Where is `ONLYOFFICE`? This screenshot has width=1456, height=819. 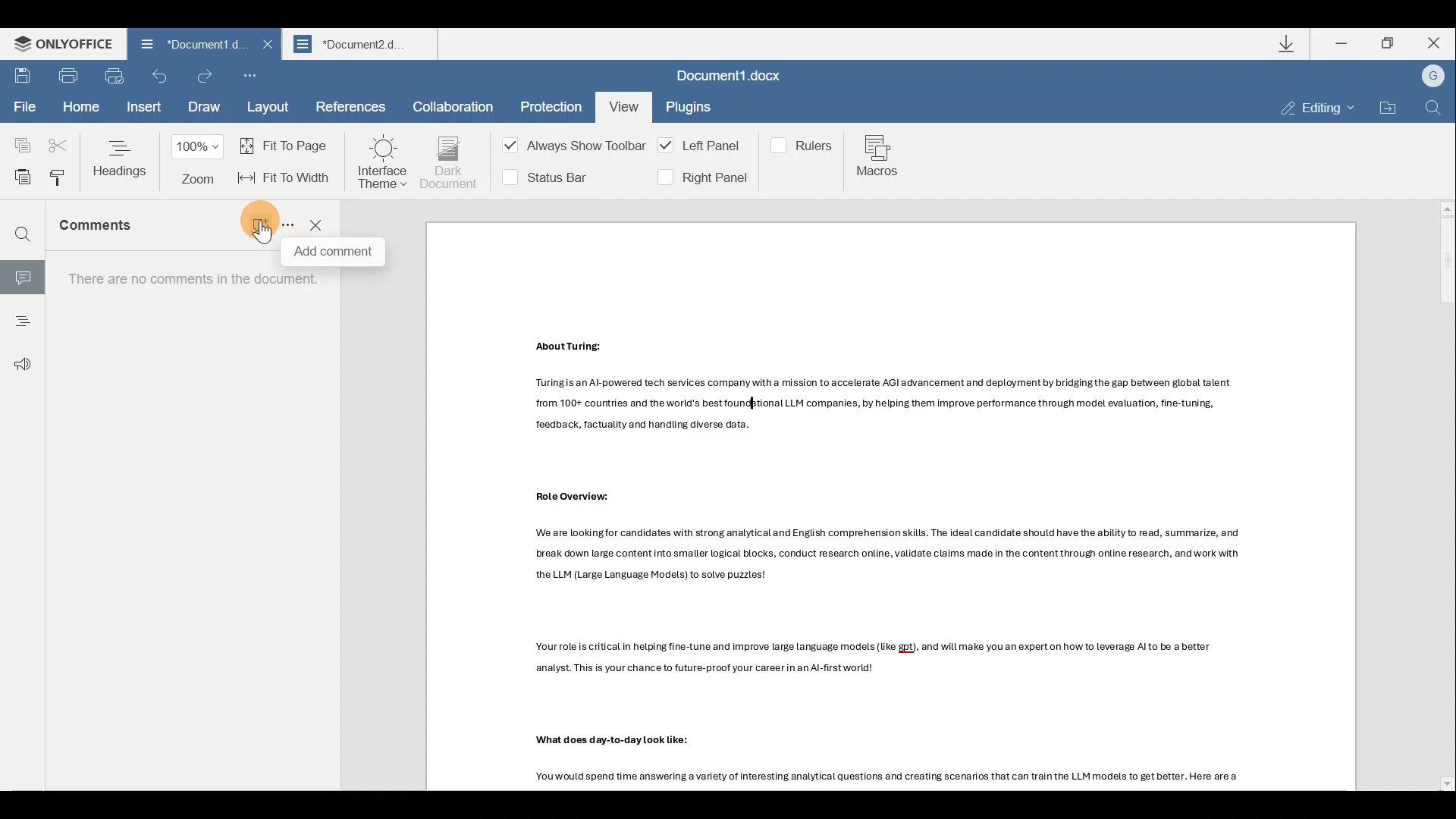
ONLYOFFICE is located at coordinates (59, 45).